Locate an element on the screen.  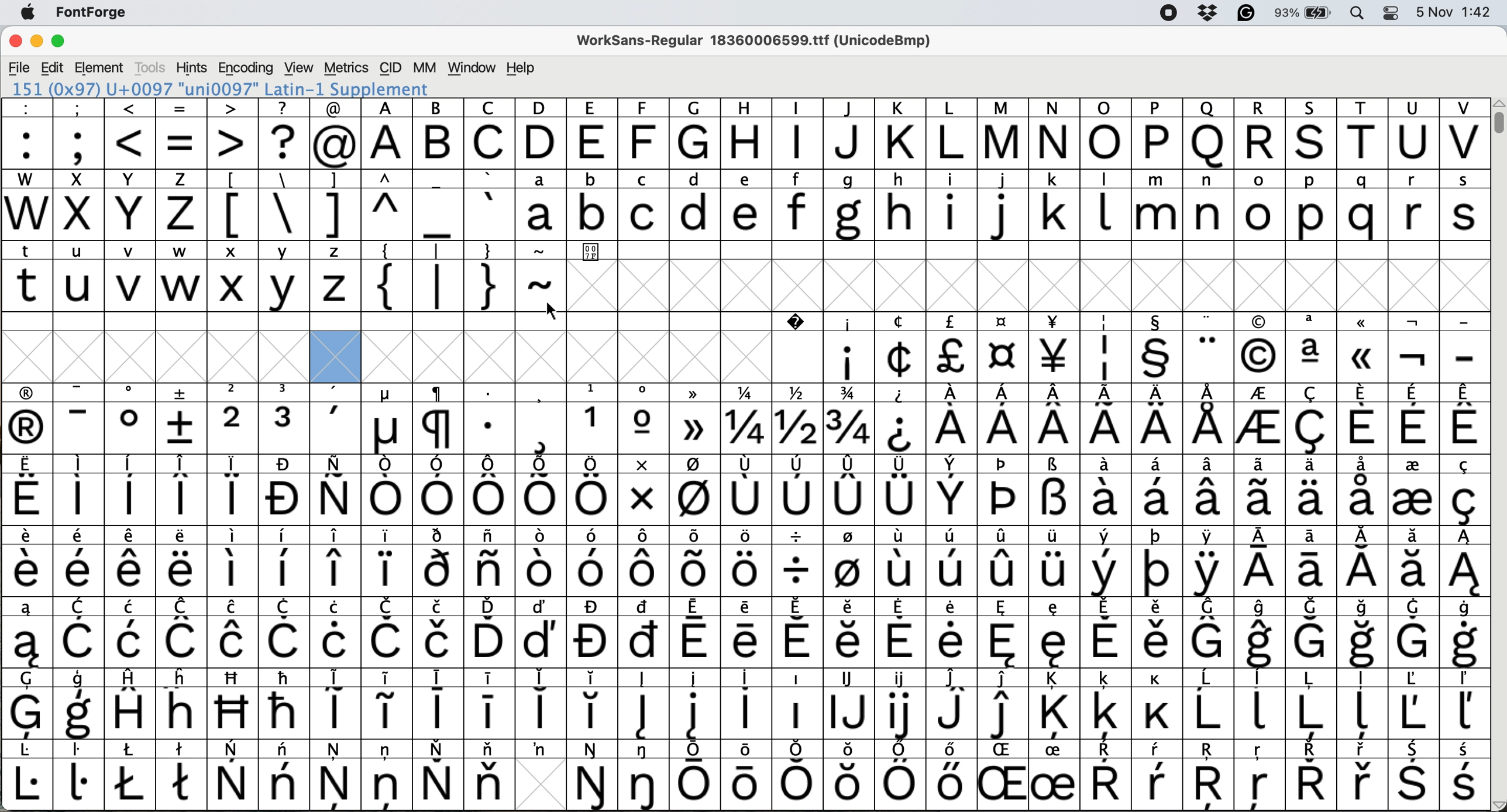
m is located at coordinates (1154, 206).